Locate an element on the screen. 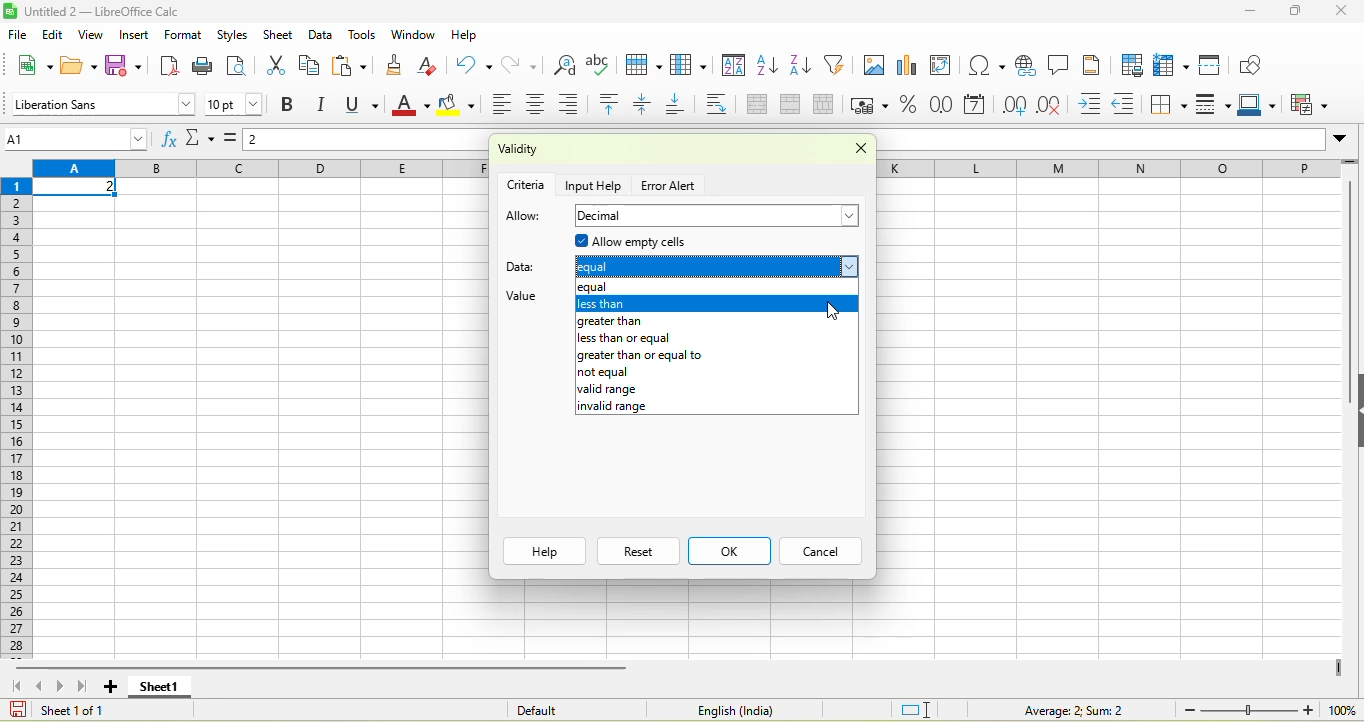 This screenshot has height=722, width=1364. comment is located at coordinates (1059, 65).